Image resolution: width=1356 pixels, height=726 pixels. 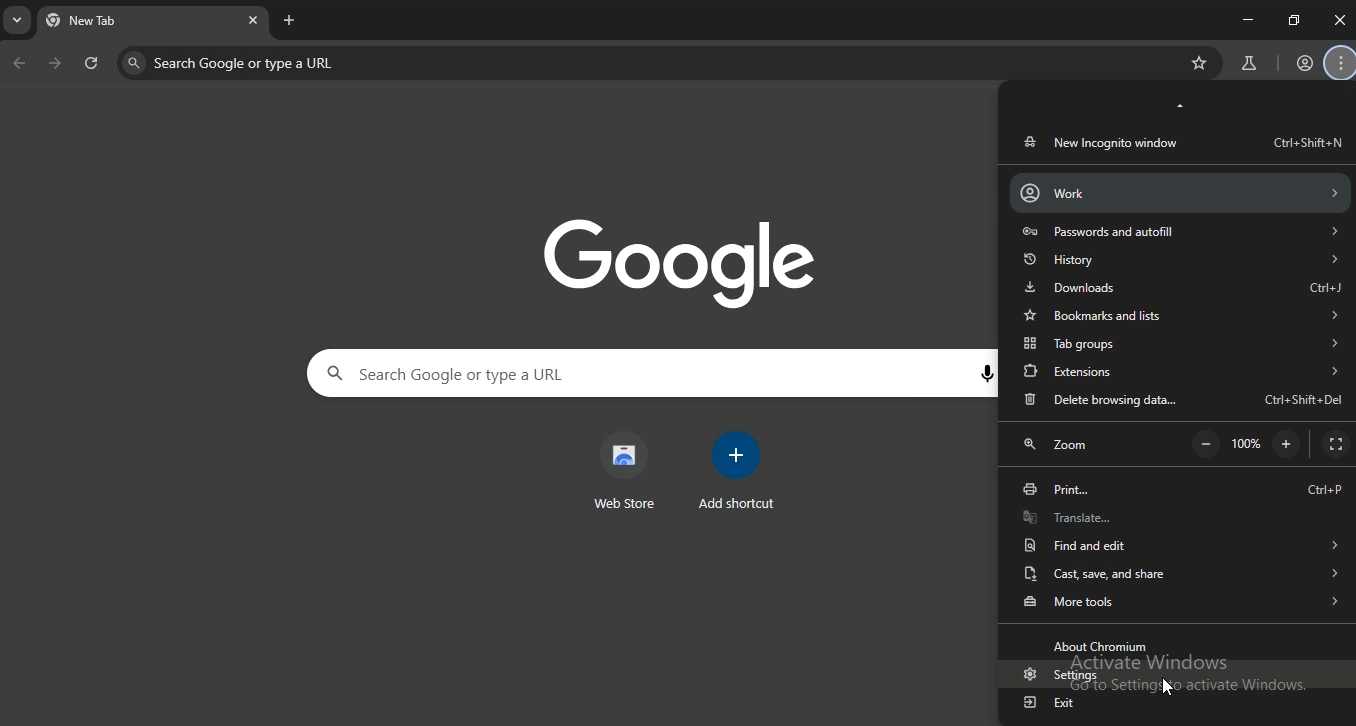 I want to click on search google or type a url, so click(x=352, y=62).